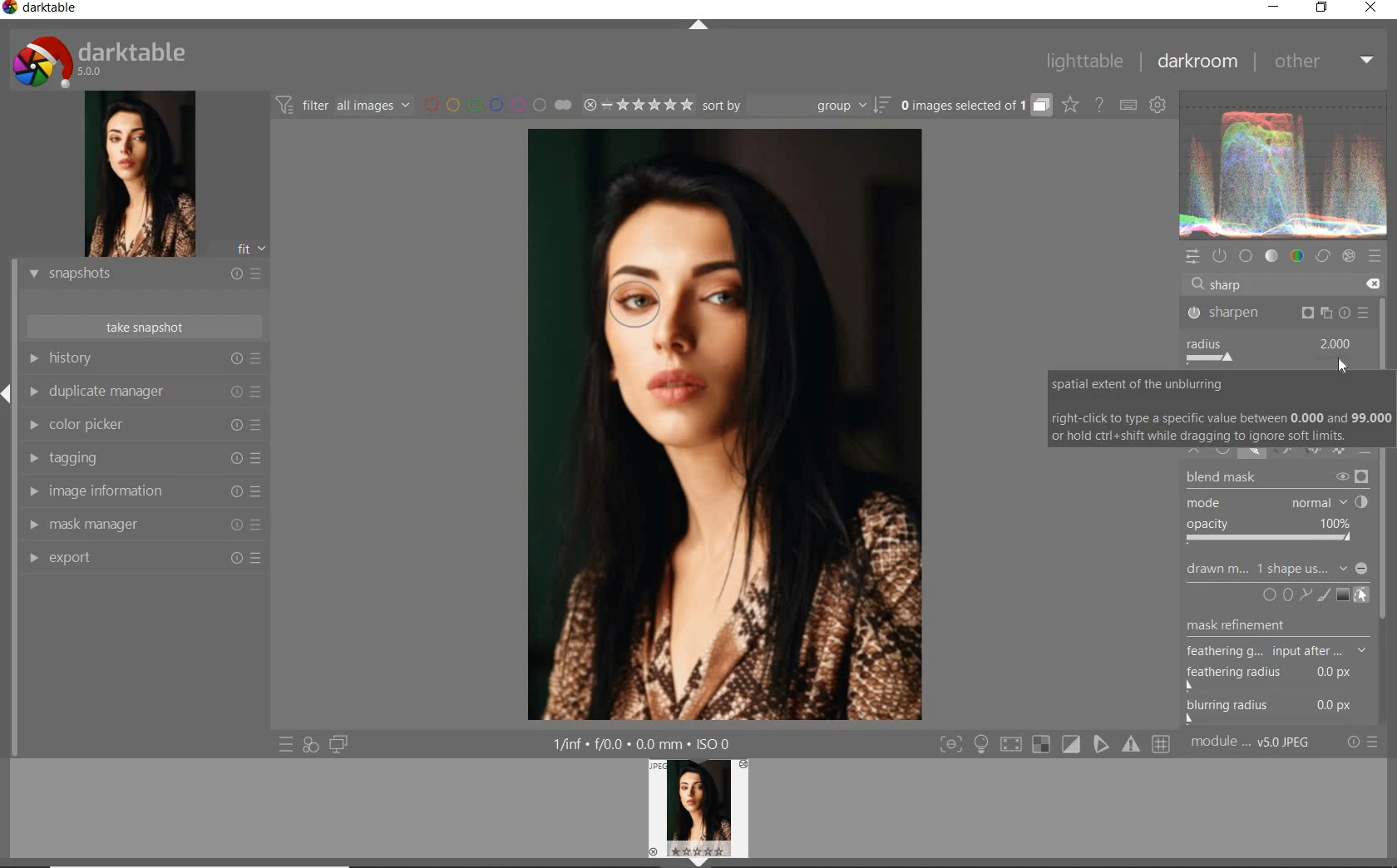 This screenshot has height=868, width=1397. What do you see at coordinates (700, 26) in the screenshot?
I see `expand/collapse` at bounding box center [700, 26].